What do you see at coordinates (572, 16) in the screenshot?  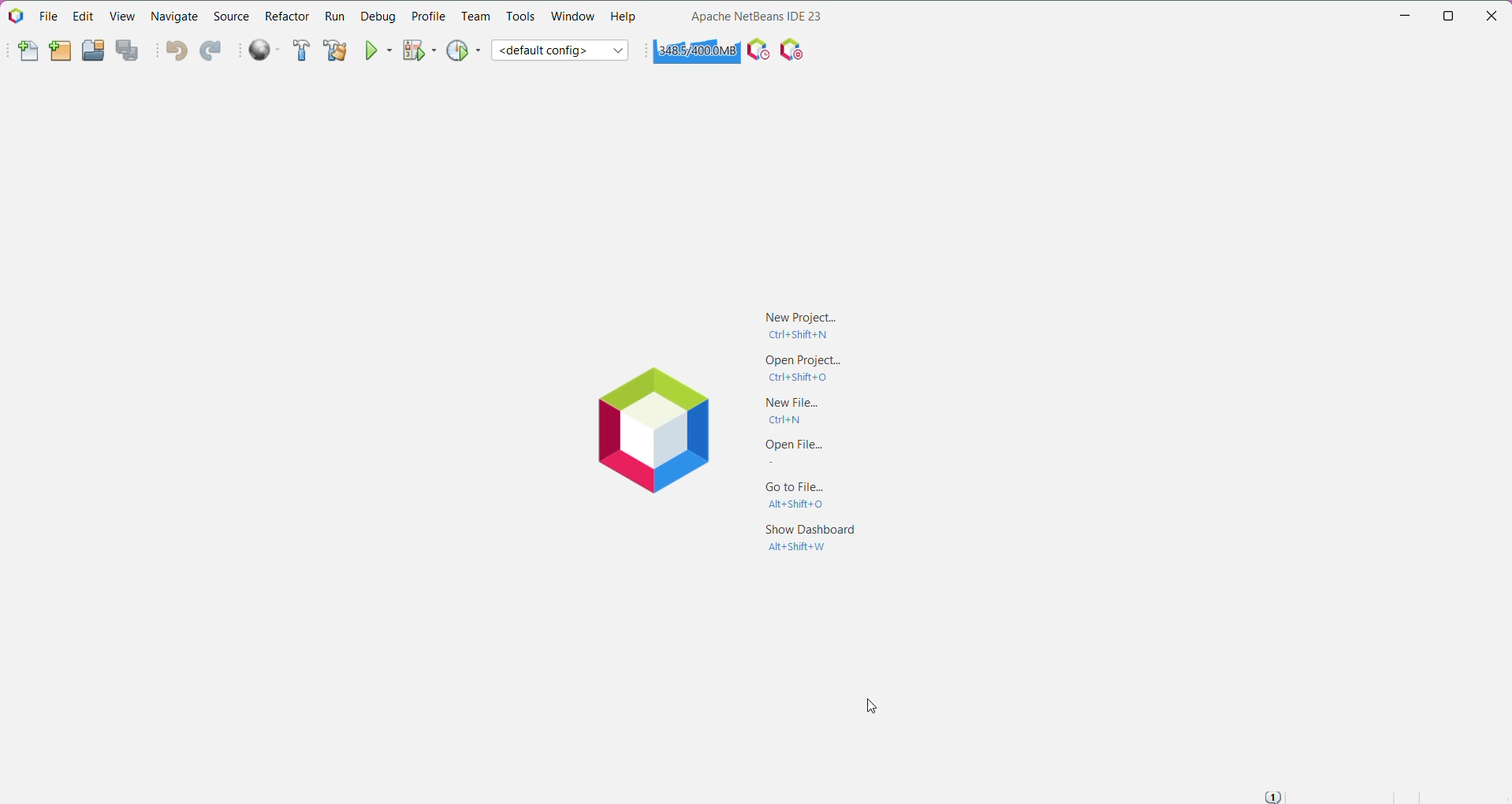 I see `Window` at bounding box center [572, 16].